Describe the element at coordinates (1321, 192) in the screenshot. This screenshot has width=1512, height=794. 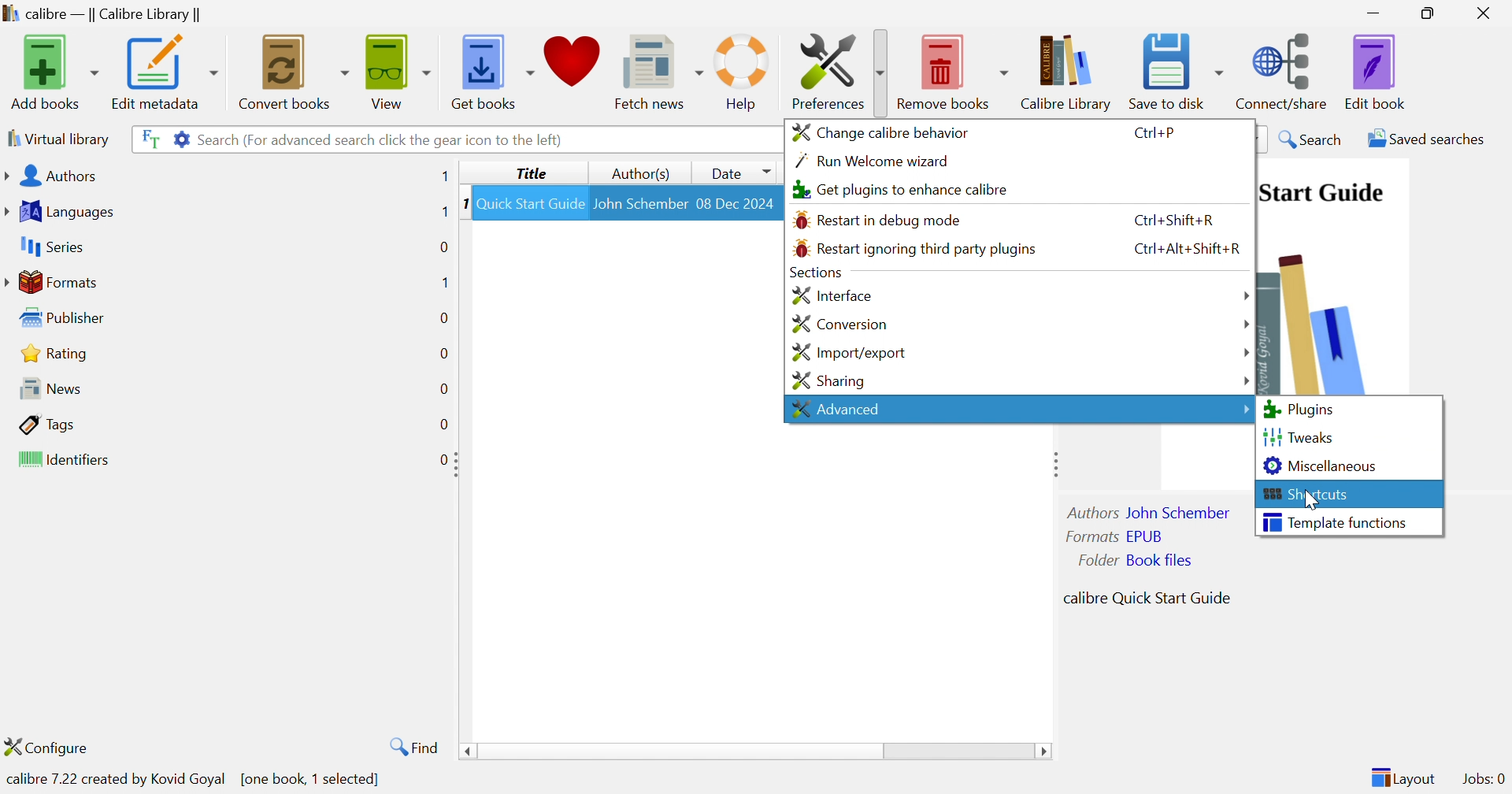
I see `Quick Start Guide` at that location.